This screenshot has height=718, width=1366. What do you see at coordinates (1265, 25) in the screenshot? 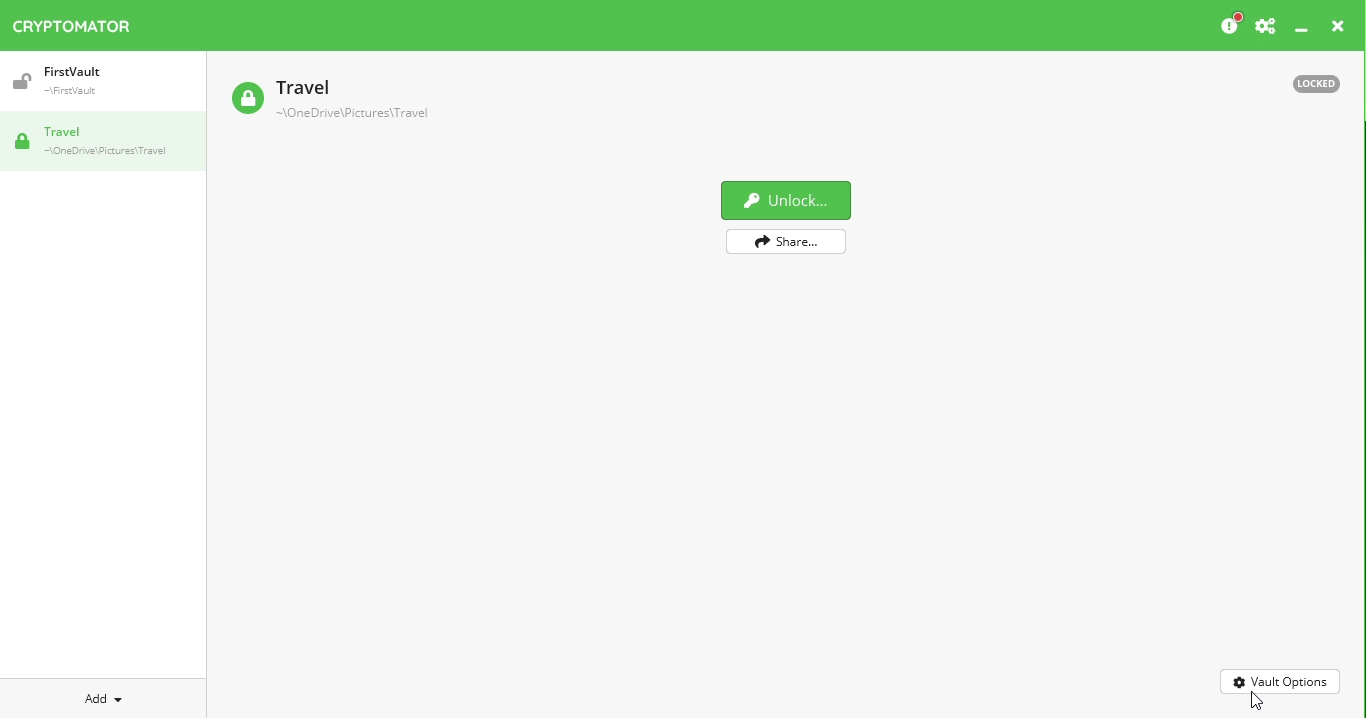
I see `Settings` at bounding box center [1265, 25].